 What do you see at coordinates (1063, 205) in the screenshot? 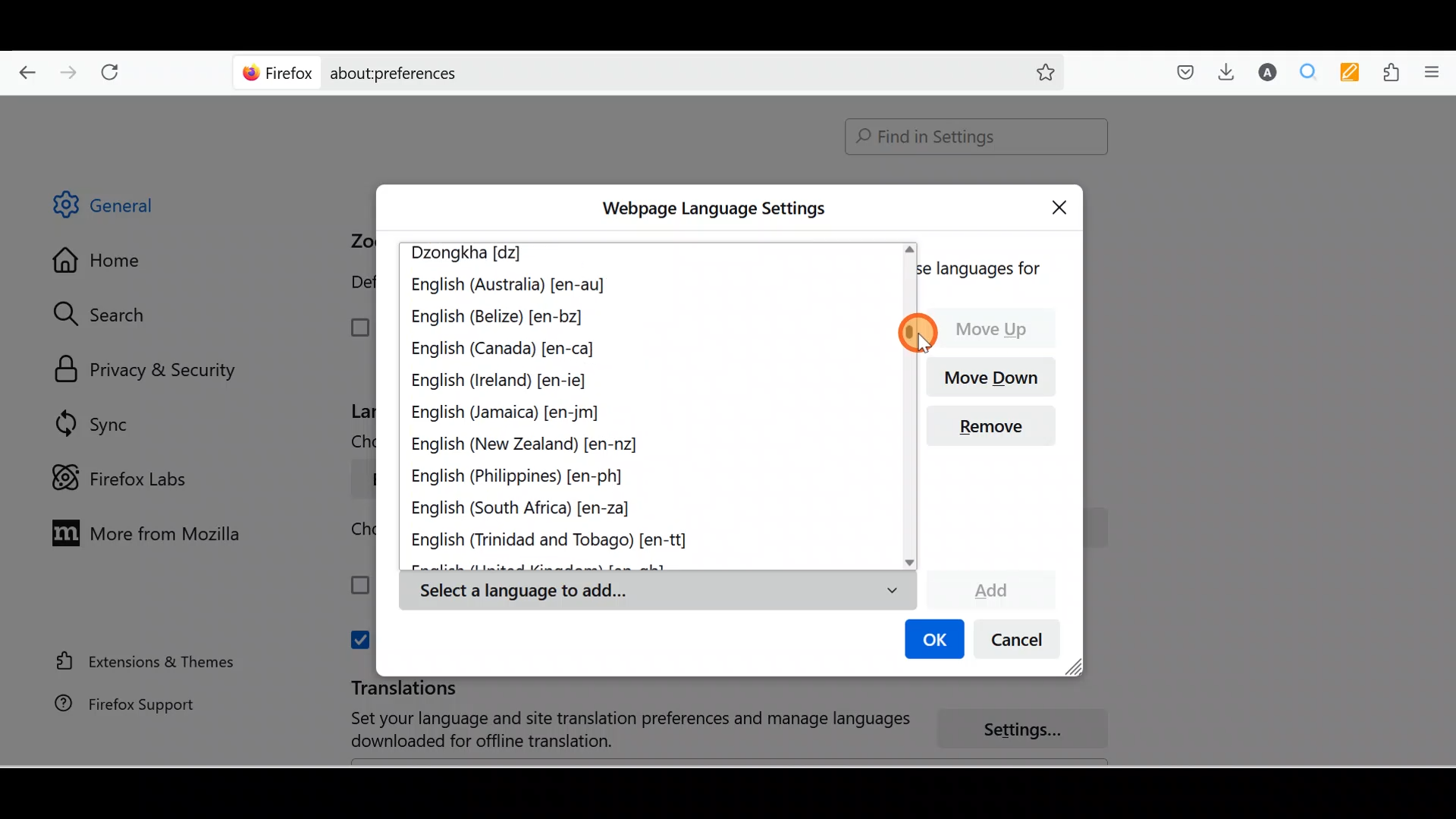
I see `Close` at bounding box center [1063, 205].